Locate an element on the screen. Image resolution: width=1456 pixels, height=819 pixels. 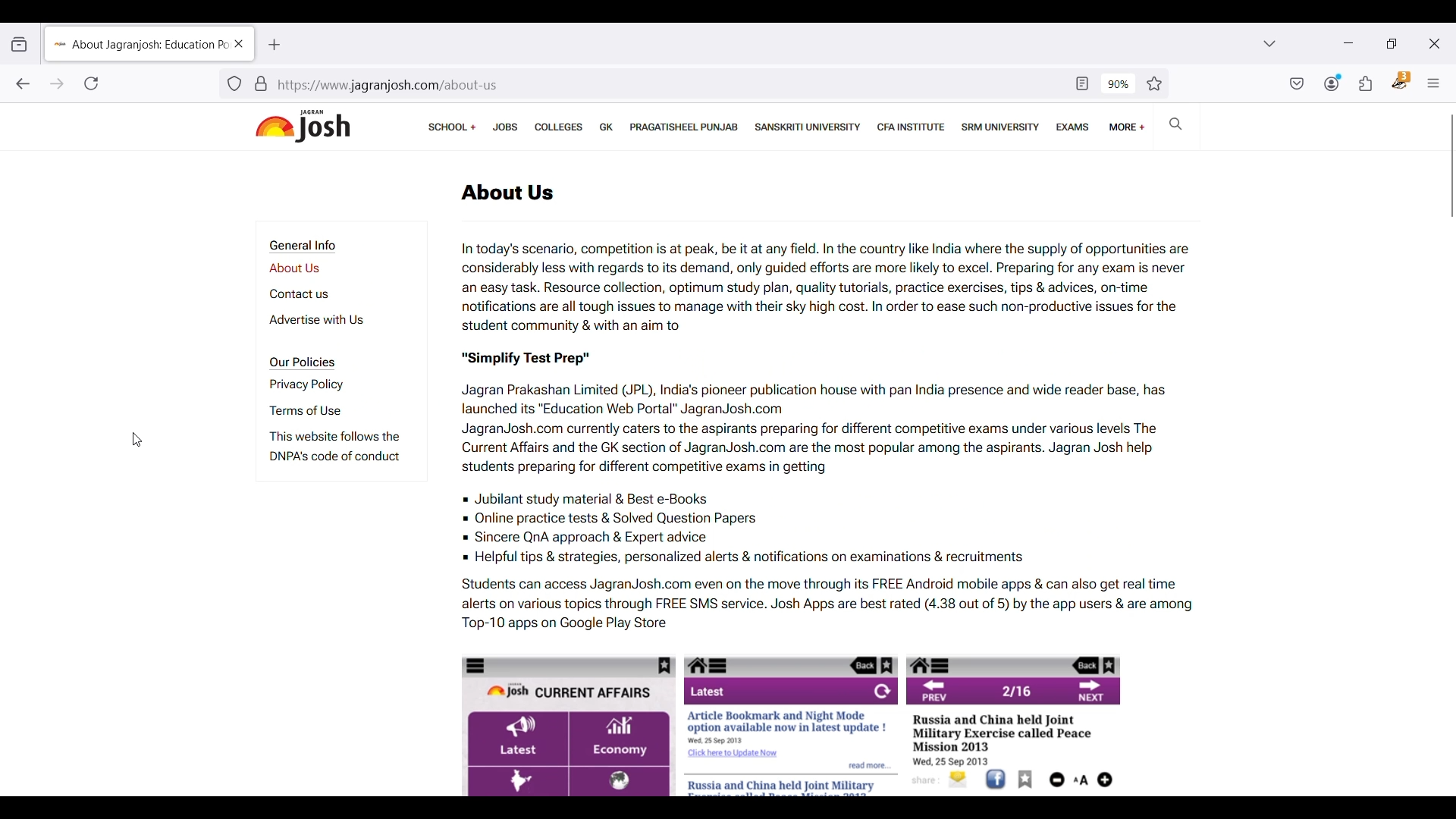
Cursor position unchanged is located at coordinates (138, 440).